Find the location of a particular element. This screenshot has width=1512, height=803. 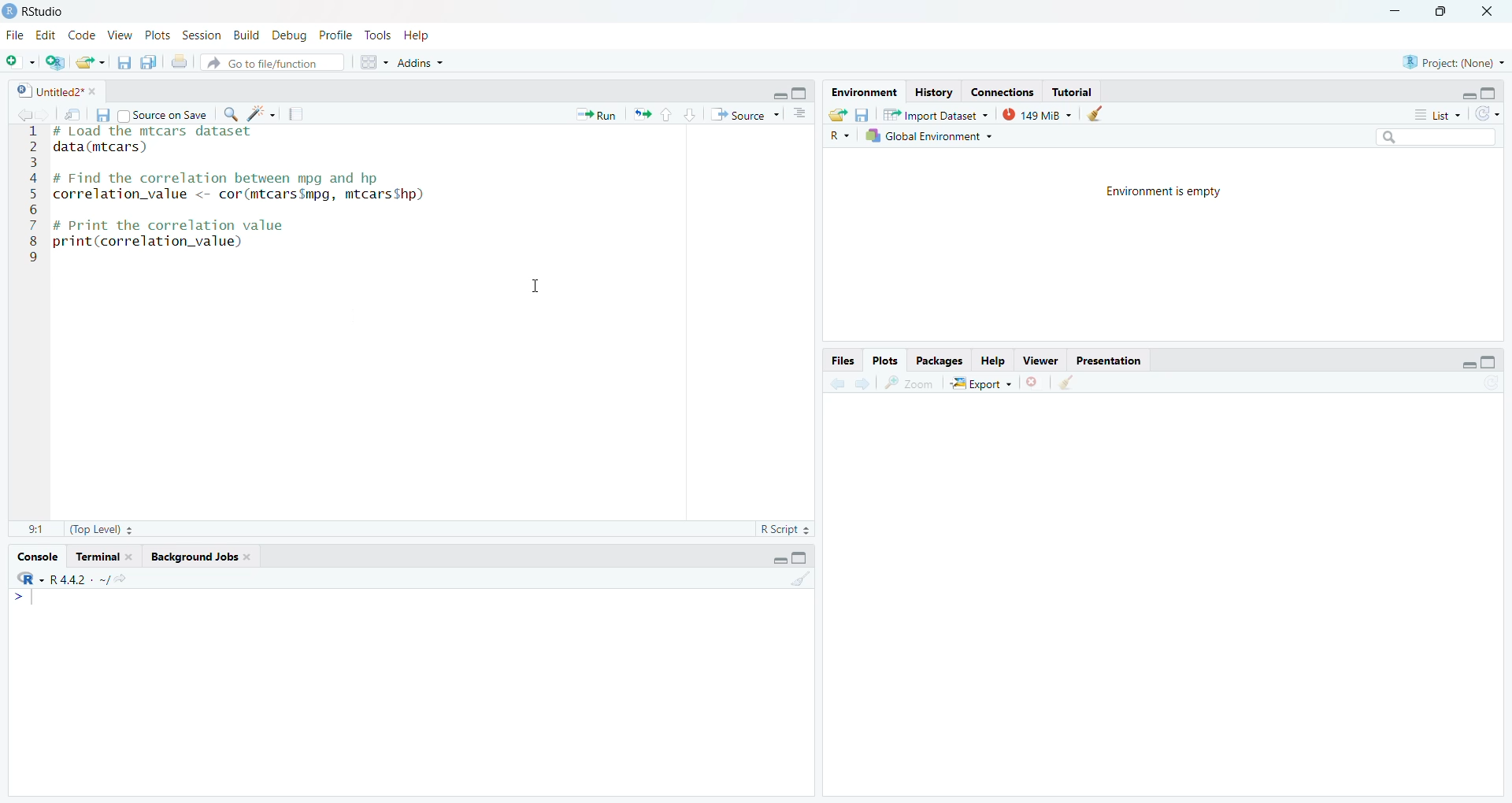

Minimize is located at coordinates (1468, 95).